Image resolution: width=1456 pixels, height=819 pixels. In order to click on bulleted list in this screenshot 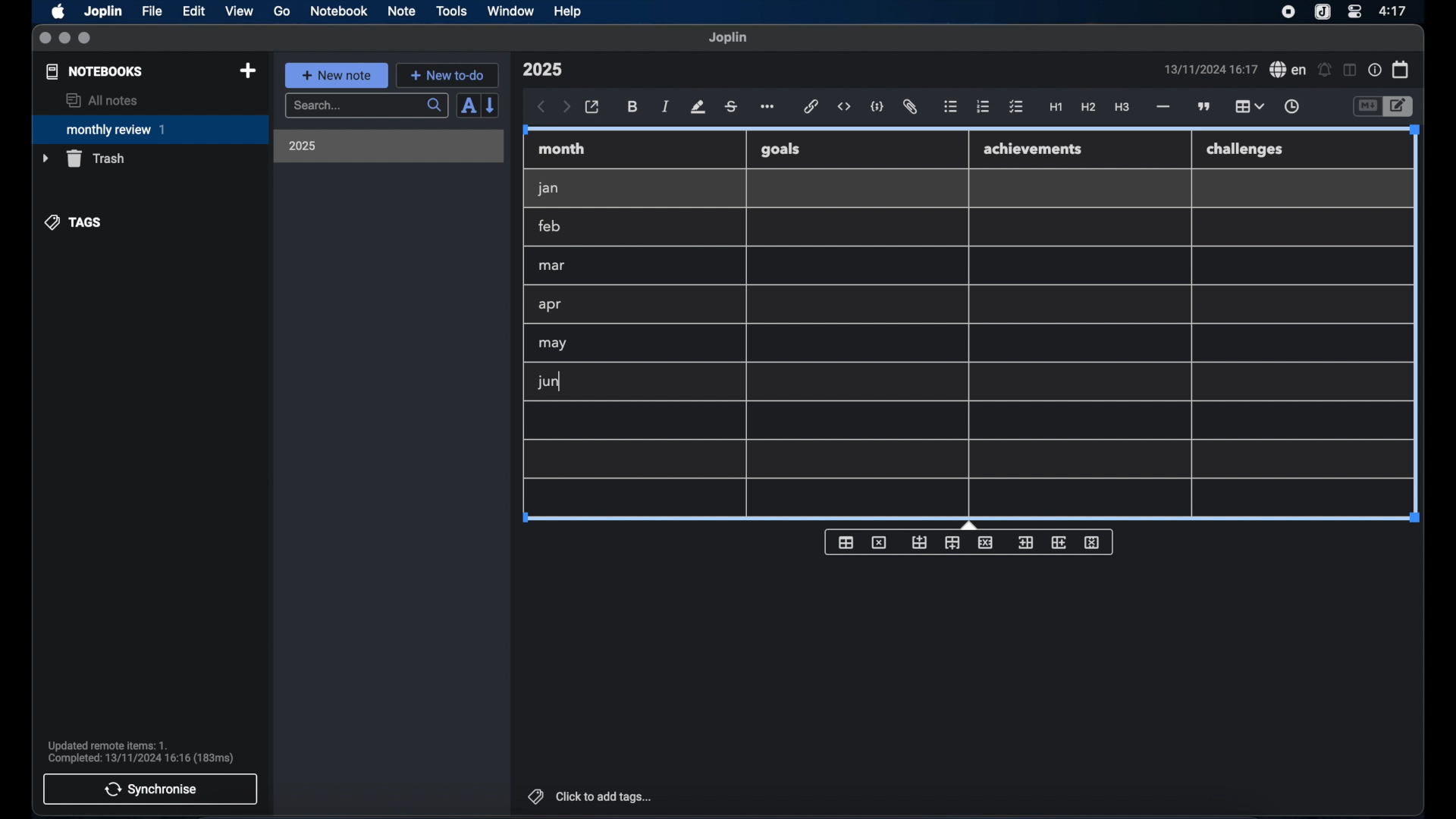, I will do `click(950, 107)`.